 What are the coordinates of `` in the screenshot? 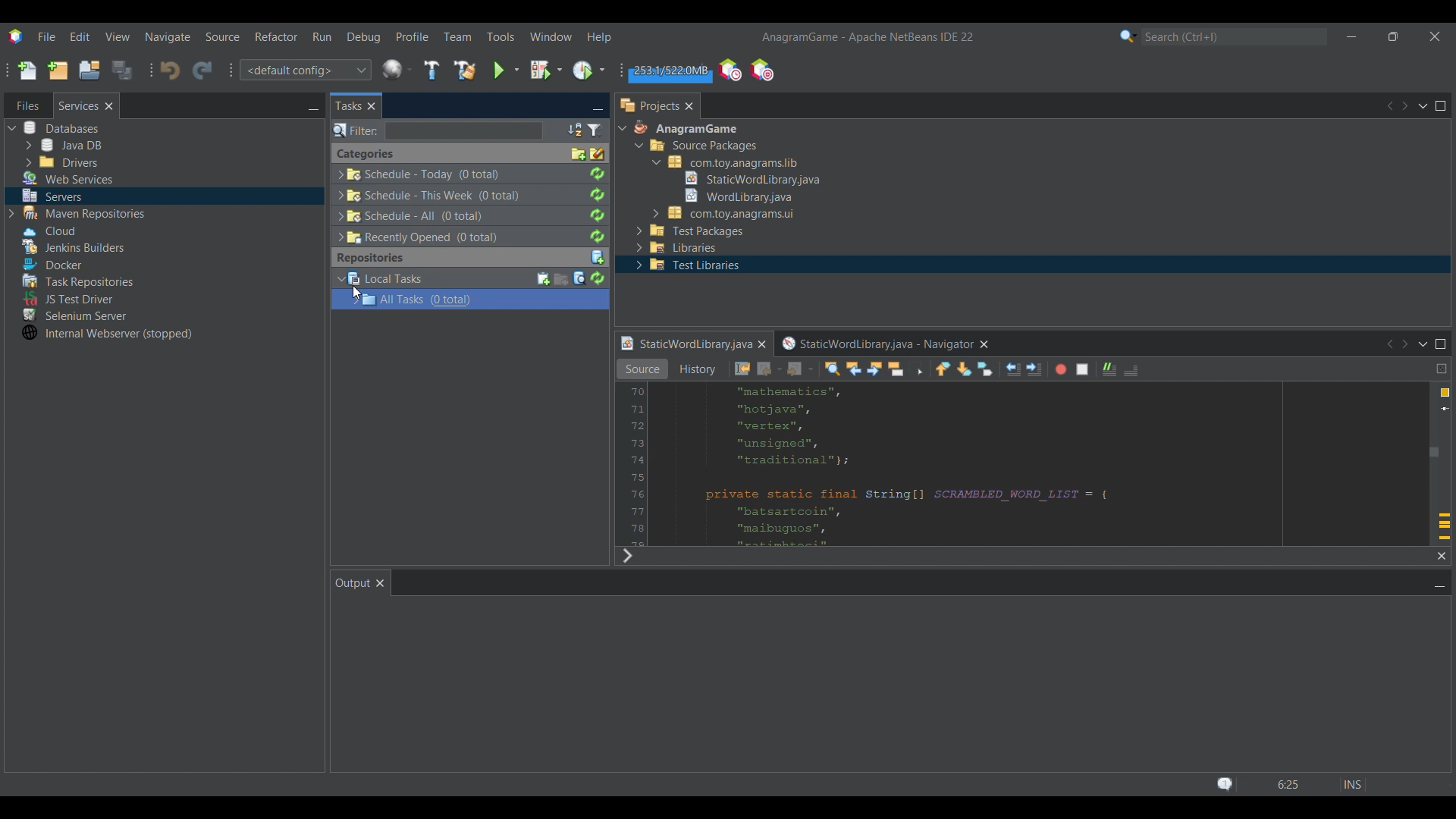 It's located at (463, 234).